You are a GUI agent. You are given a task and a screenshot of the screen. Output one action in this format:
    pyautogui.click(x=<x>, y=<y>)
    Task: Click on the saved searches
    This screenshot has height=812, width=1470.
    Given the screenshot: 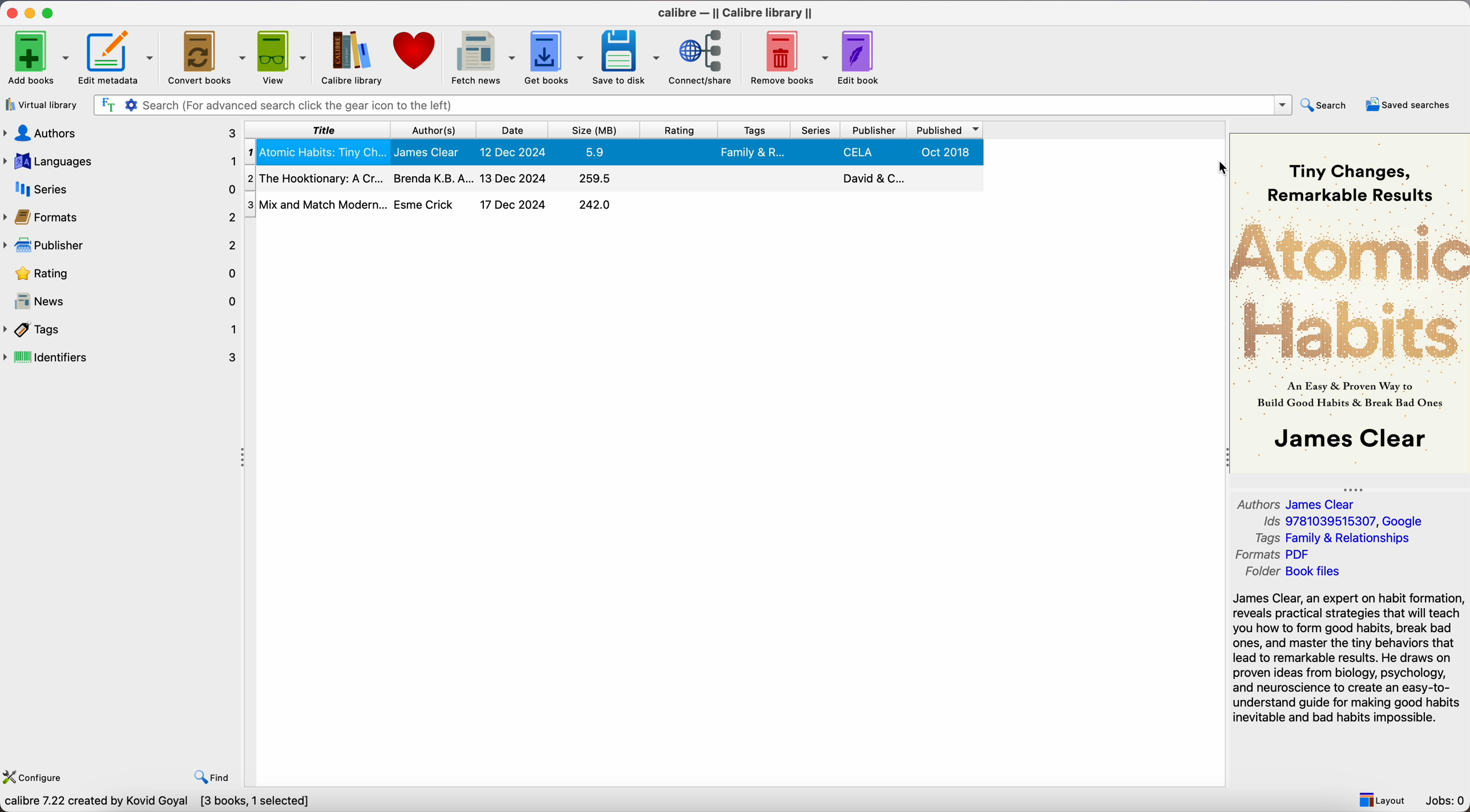 What is the action you would take?
    pyautogui.click(x=1410, y=106)
    